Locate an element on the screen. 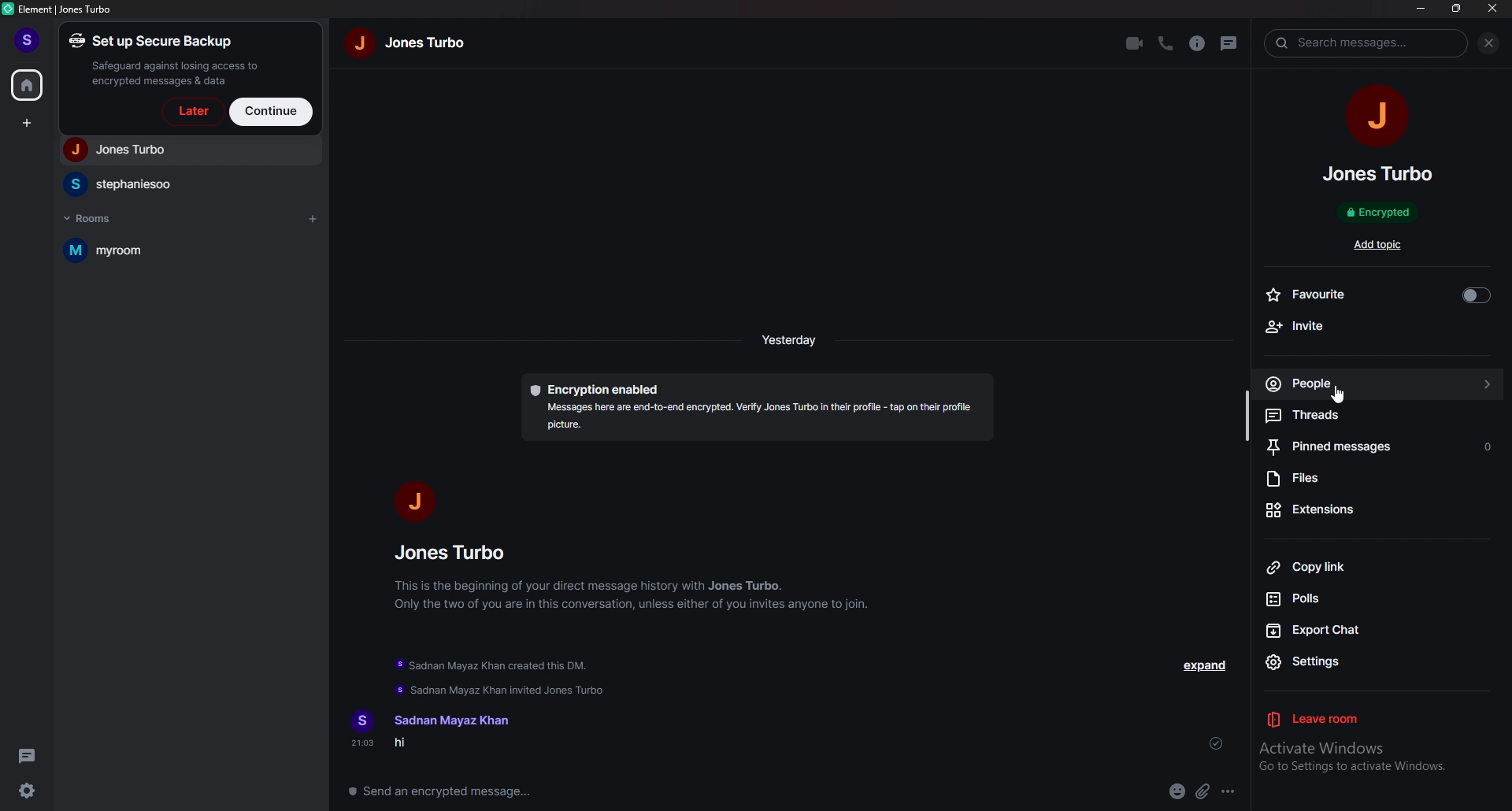 The width and height of the screenshot is (1512, 811). rooms is located at coordinates (95, 217).